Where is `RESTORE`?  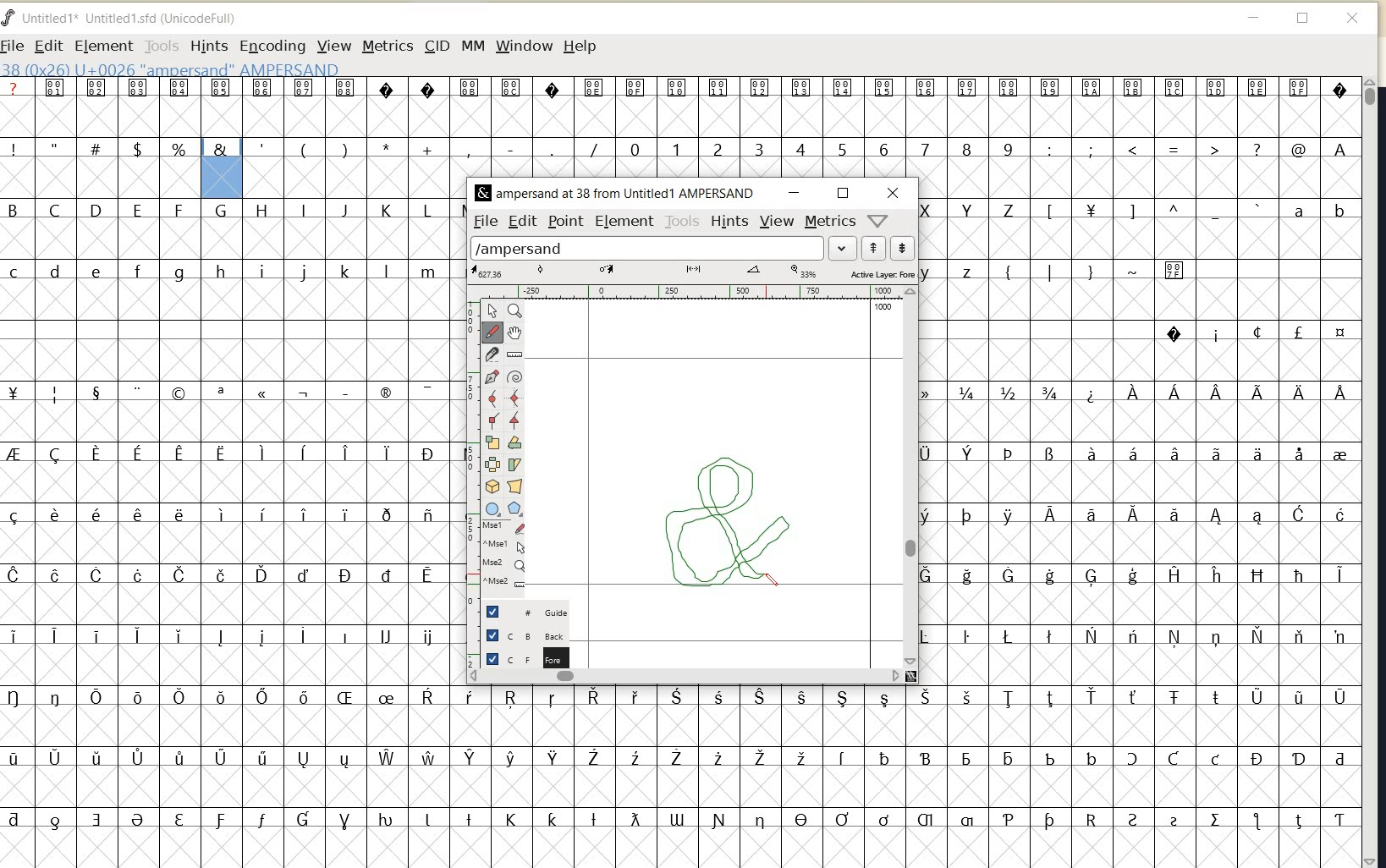 RESTORE is located at coordinates (844, 194).